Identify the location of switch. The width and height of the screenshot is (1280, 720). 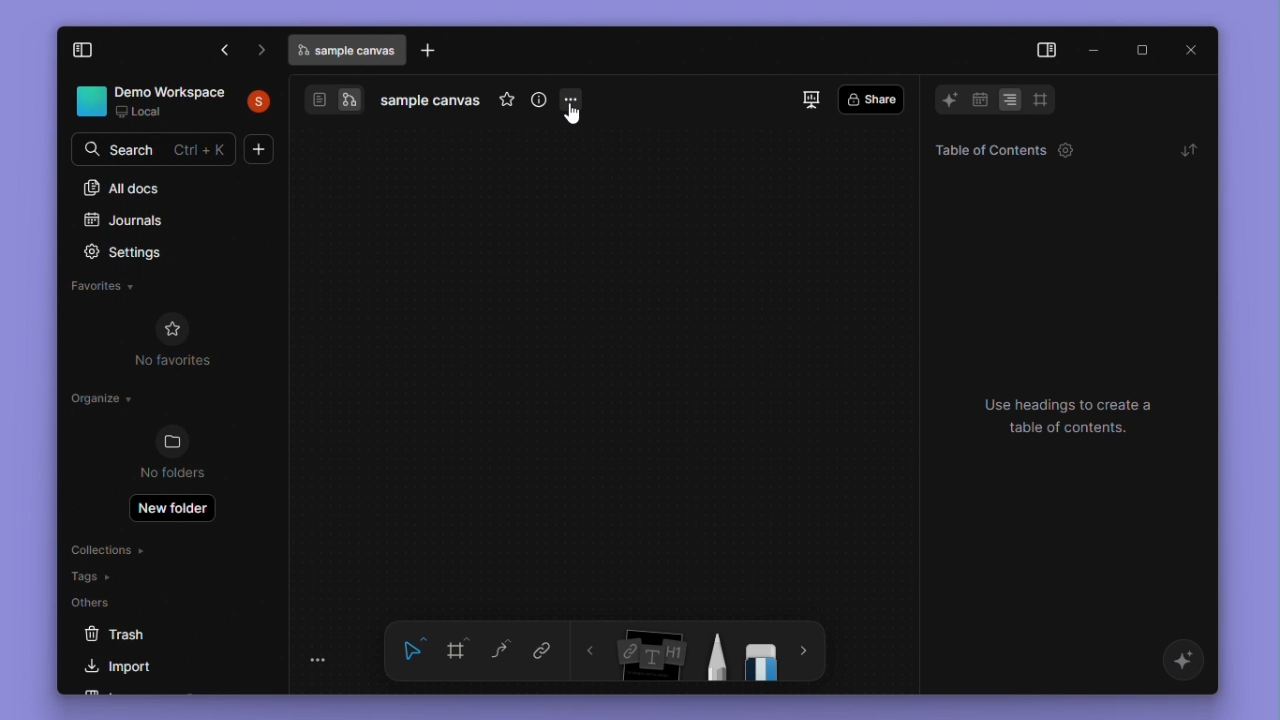
(335, 100).